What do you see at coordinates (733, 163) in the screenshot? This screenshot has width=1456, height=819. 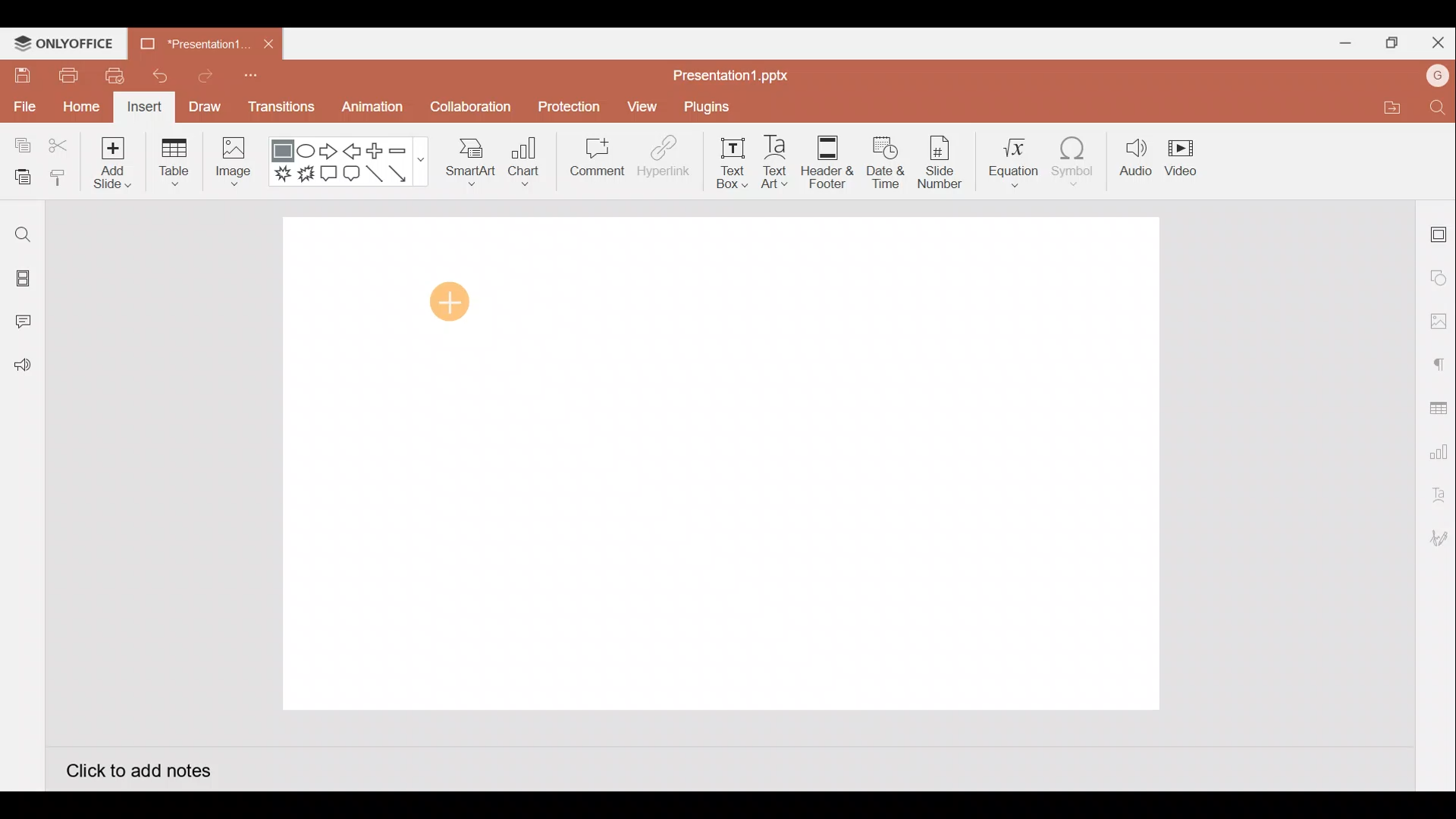 I see `Text box` at bounding box center [733, 163].